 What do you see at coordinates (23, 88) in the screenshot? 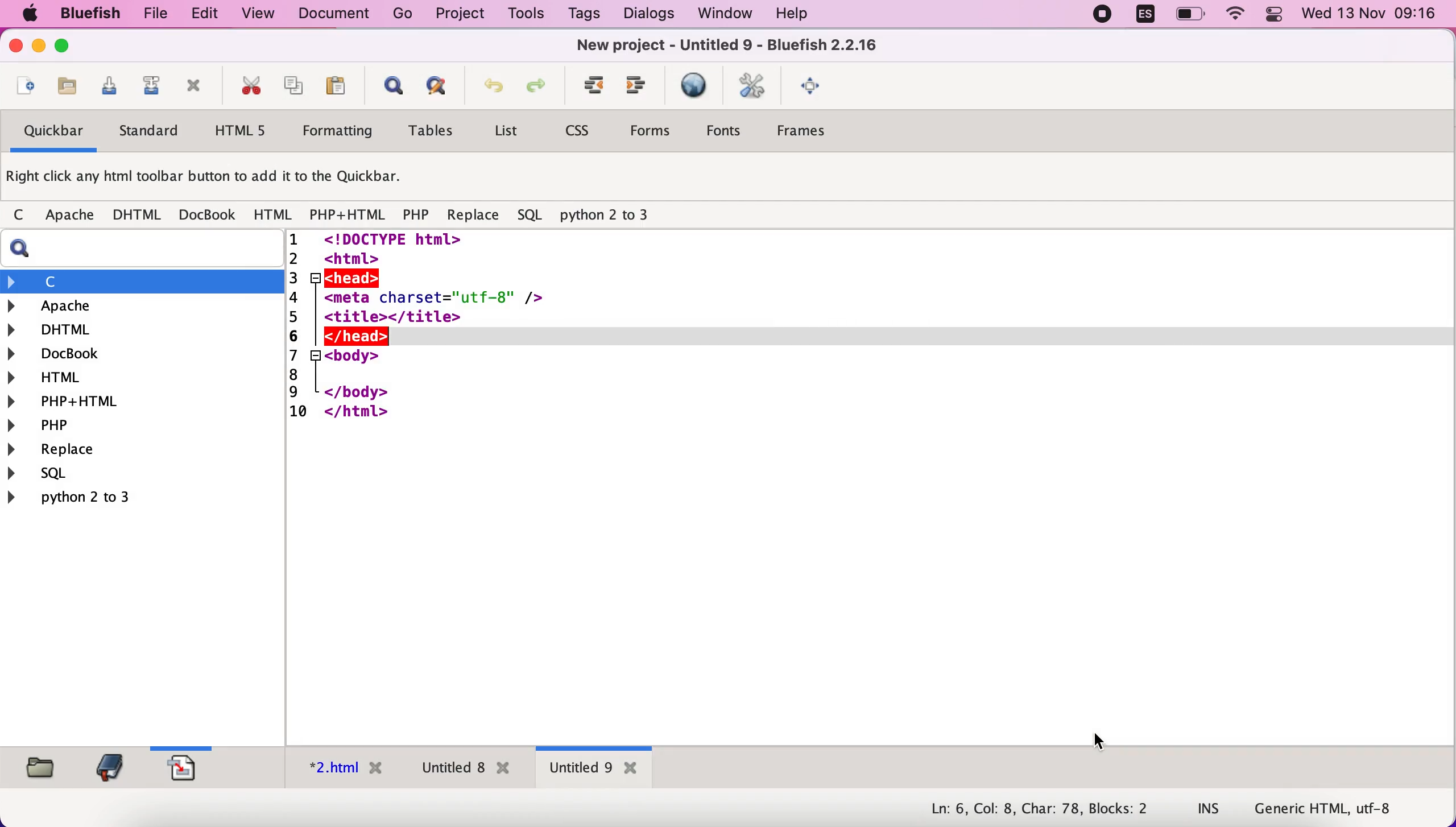
I see `open file` at bounding box center [23, 88].